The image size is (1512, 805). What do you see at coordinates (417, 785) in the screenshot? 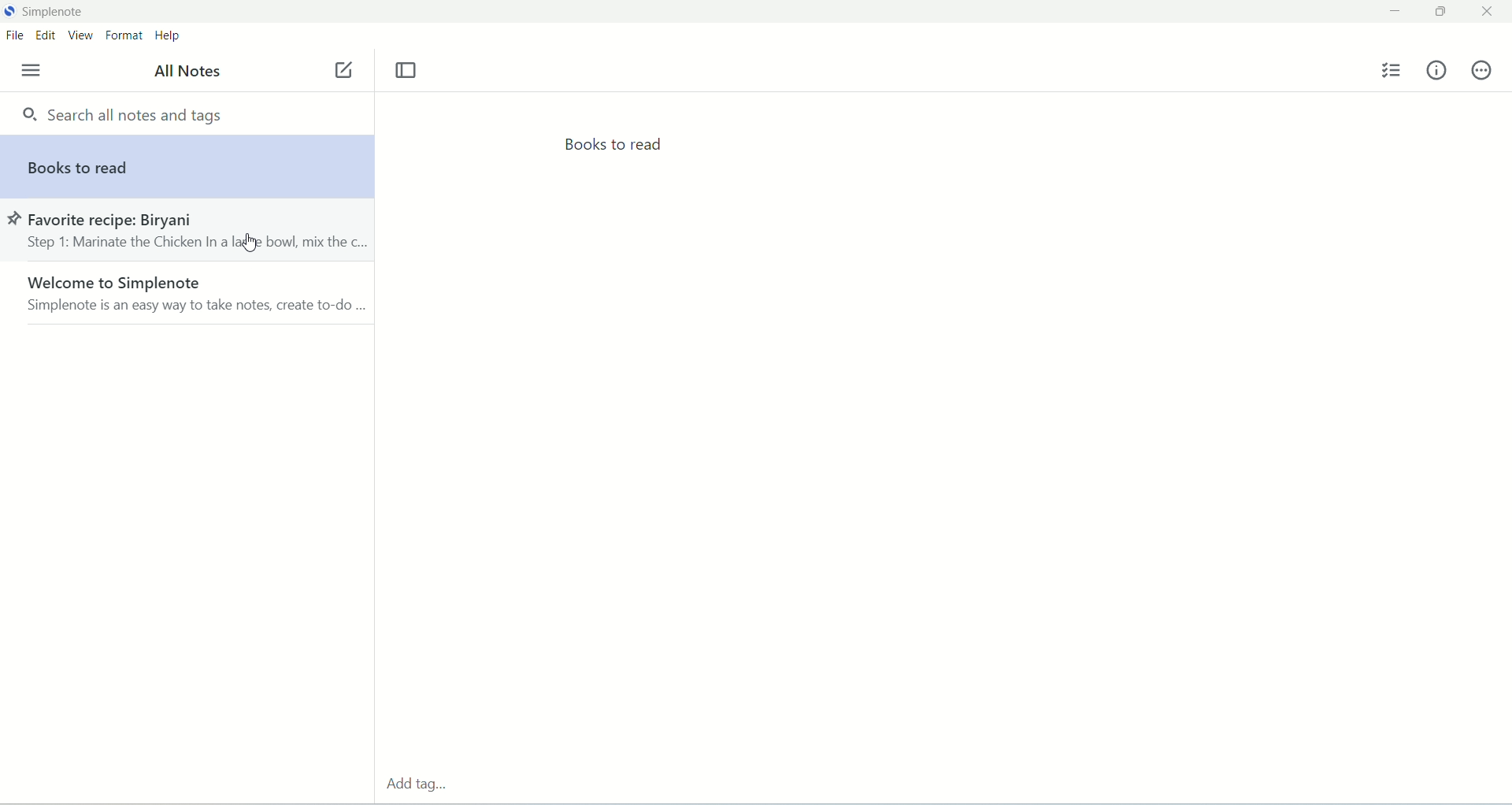
I see `add tags` at bounding box center [417, 785].